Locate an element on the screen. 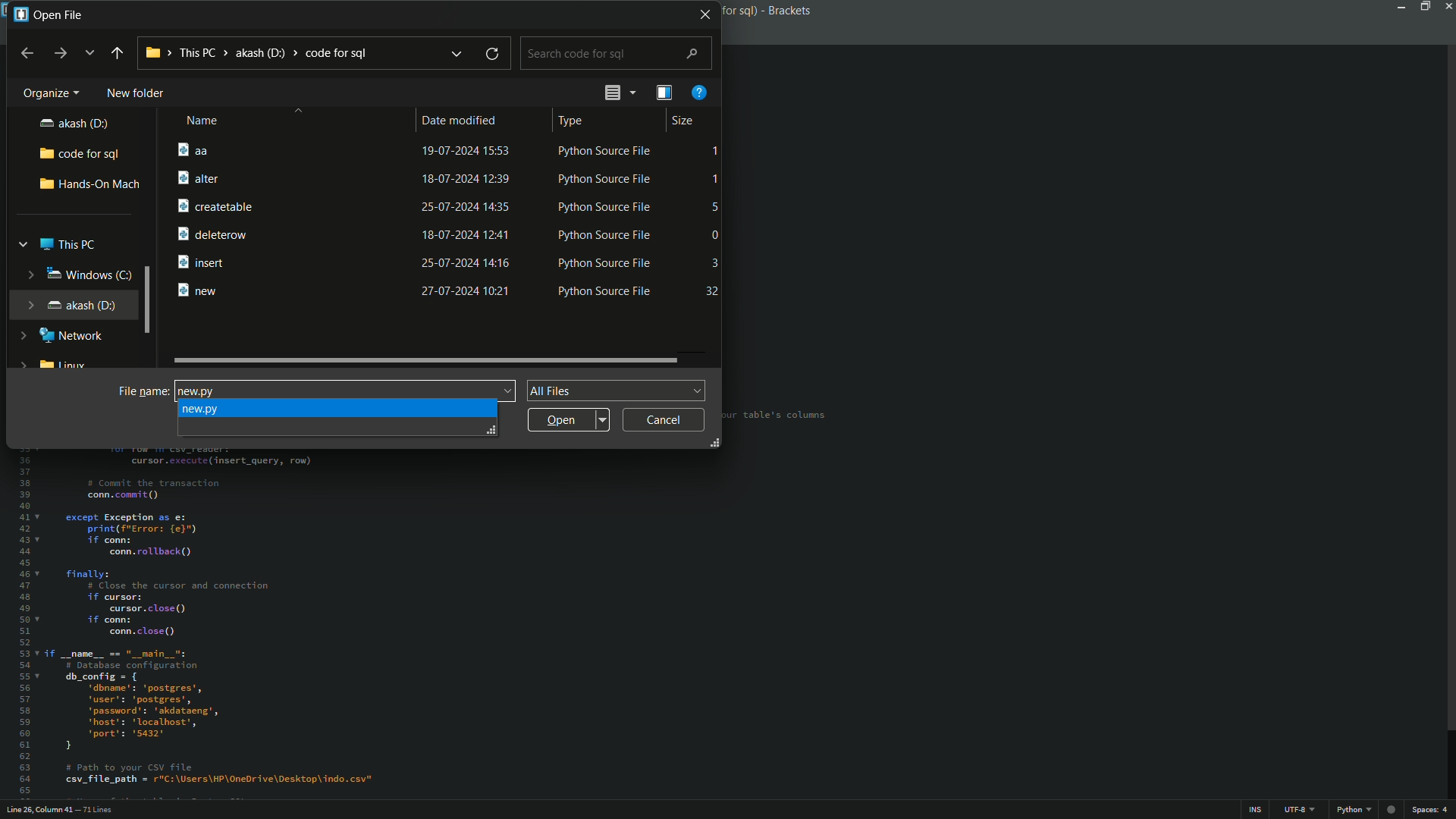  maximize is located at coordinates (1424, 6).